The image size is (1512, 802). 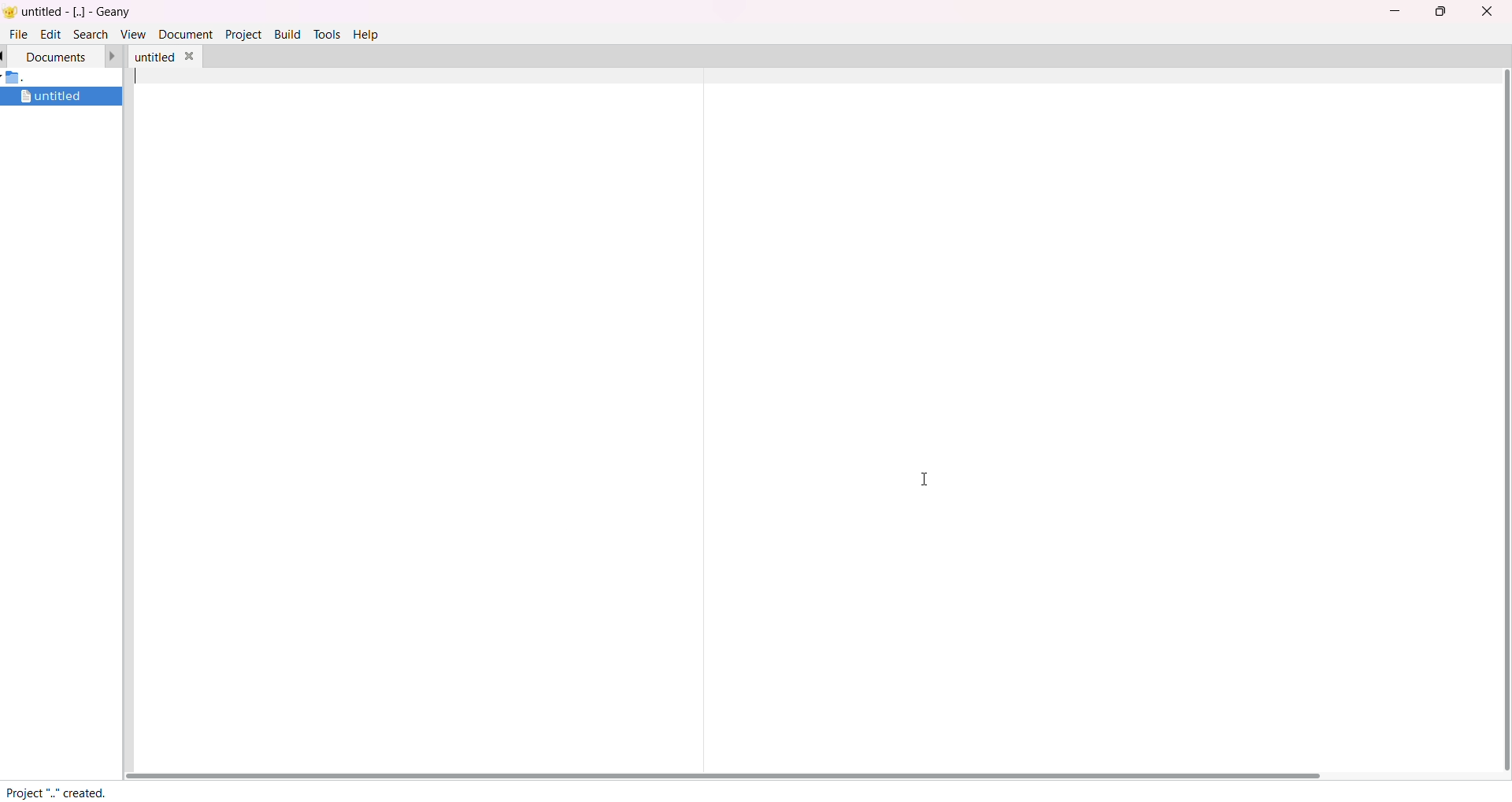 What do you see at coordinates (326, 34) in the screenshot?
I see `tools` at bounding box center [326, 34].